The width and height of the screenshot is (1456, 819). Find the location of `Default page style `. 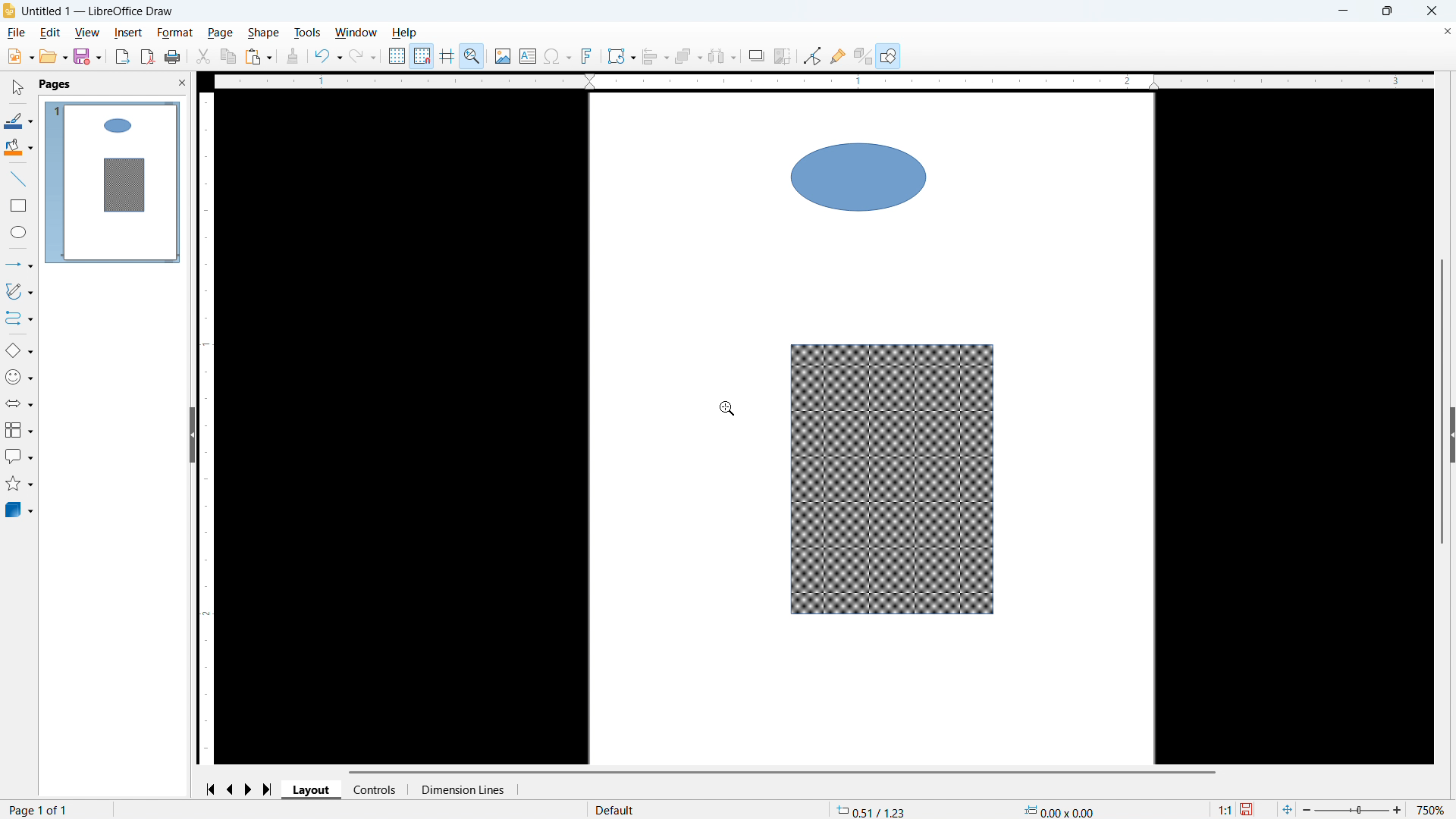

Default page style  is located at coordinates (616, 808).